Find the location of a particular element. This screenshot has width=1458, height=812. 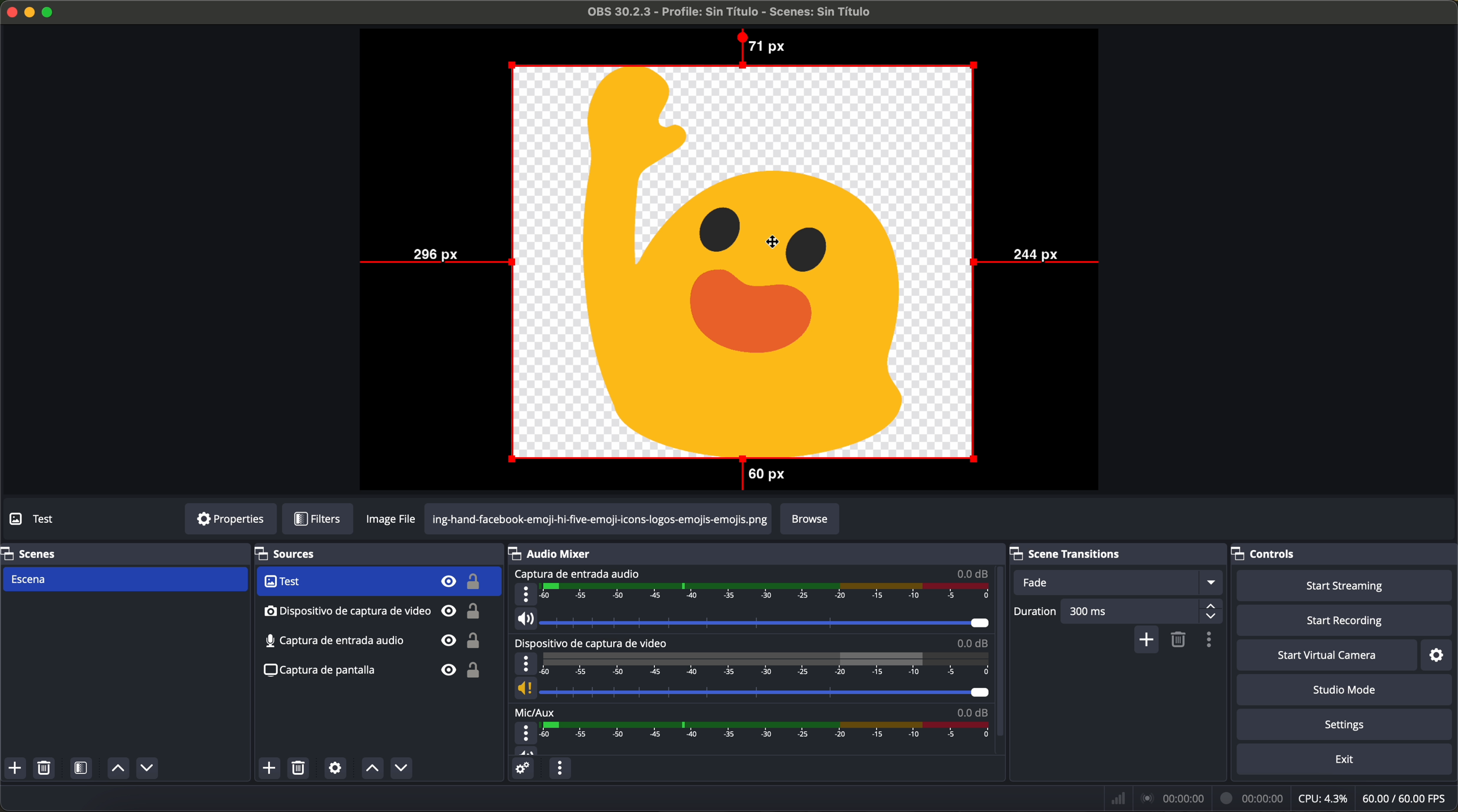

0.0 dB is located at coordinates (974, 573).